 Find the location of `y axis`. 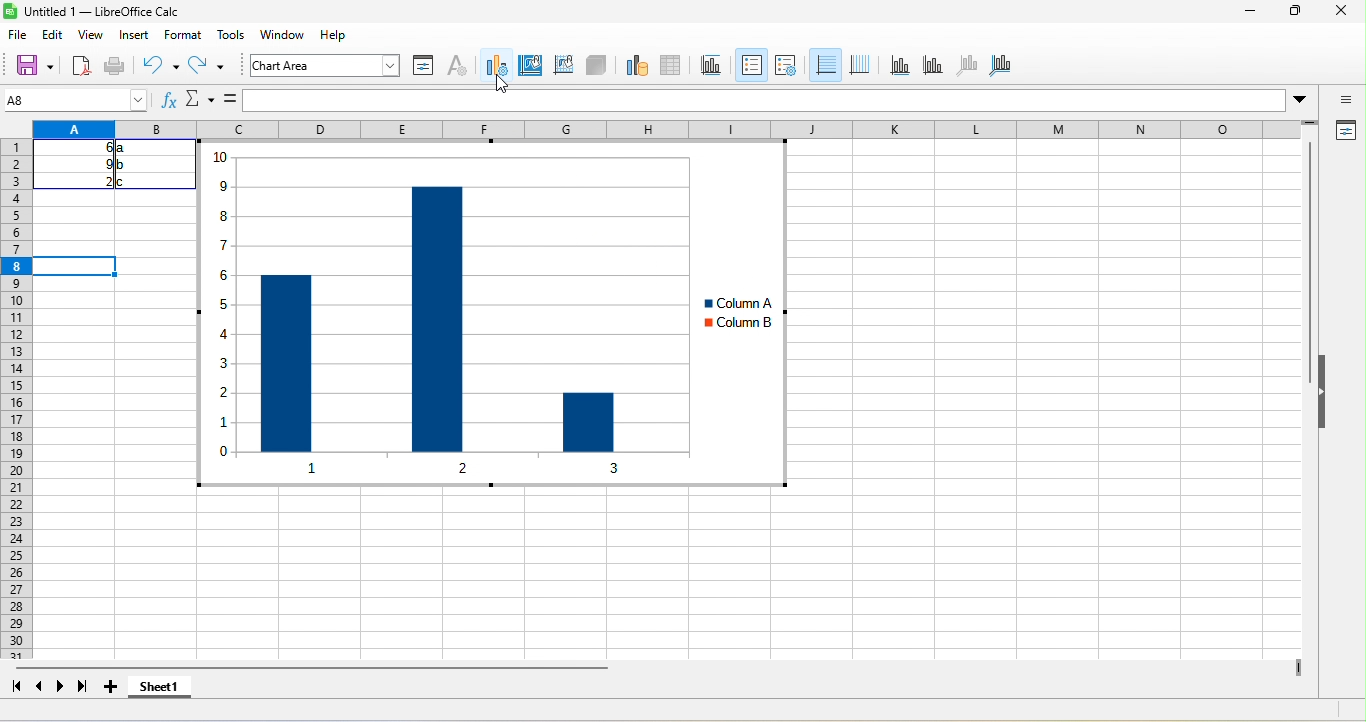

y axis is located at coordinates (931, 67).